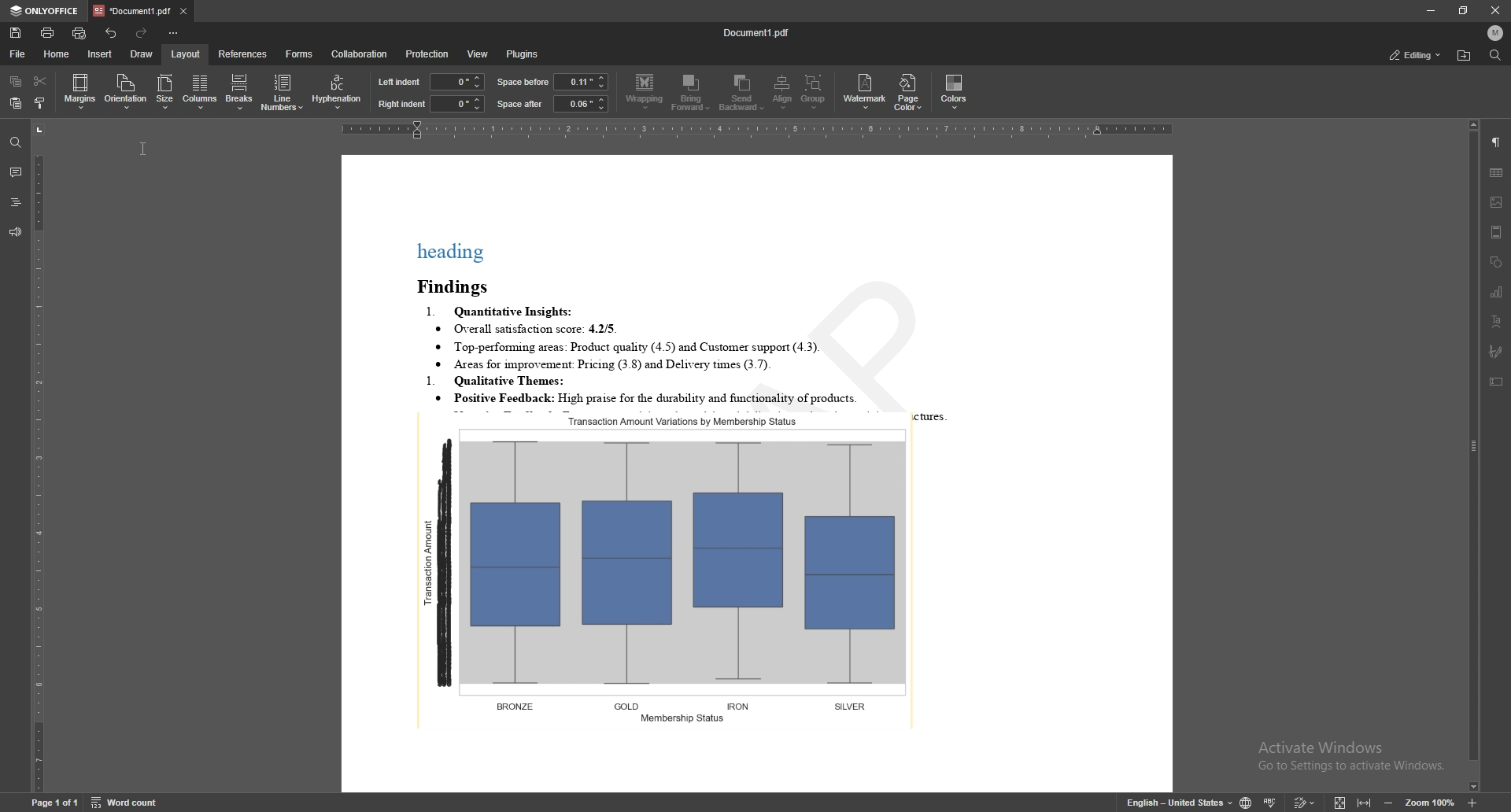  What do you see at coordinates (782, 91) in the screenshot?
I see `align` at bounding box center [782, 91].